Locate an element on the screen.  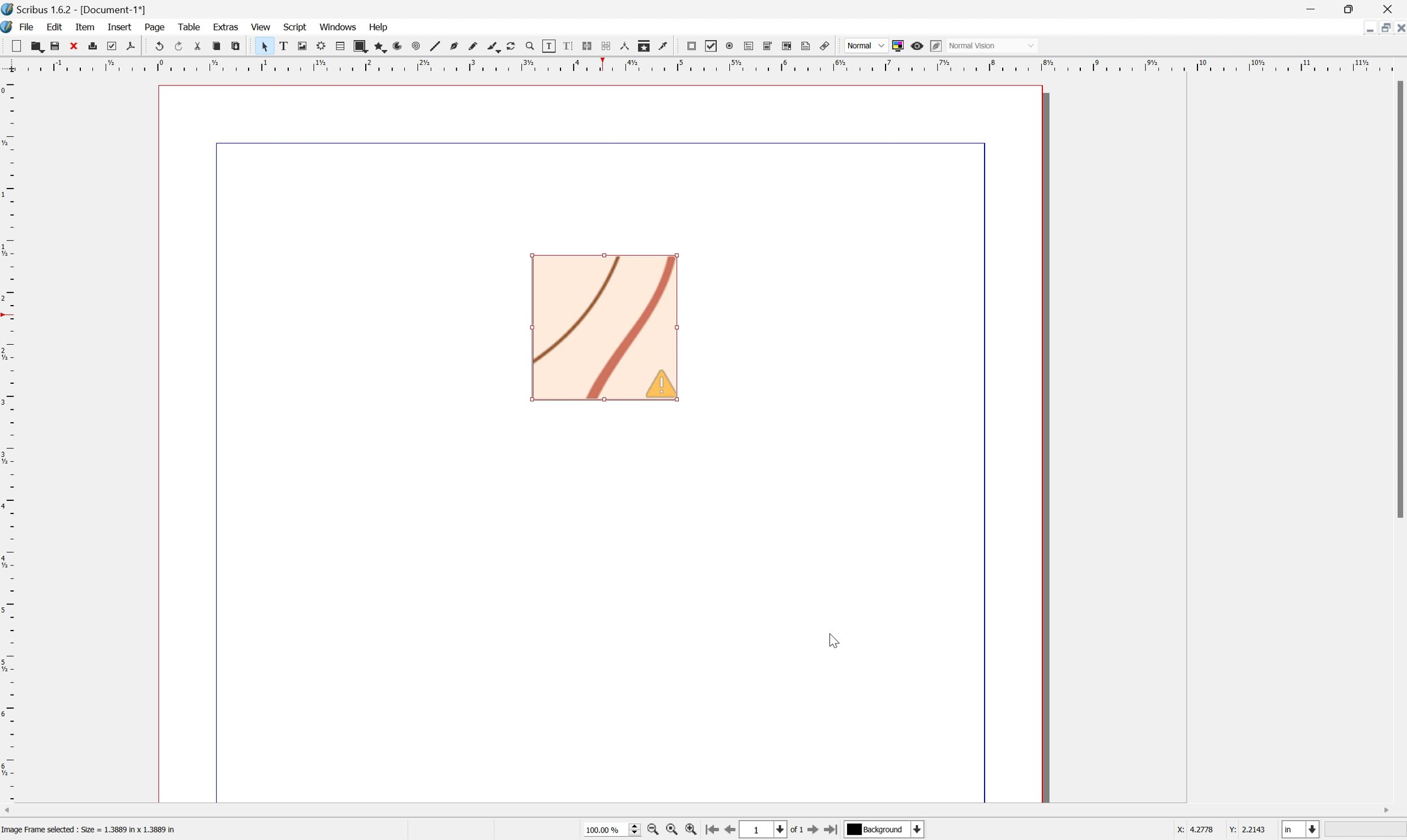
Arc is located at coordinates (400, 46).